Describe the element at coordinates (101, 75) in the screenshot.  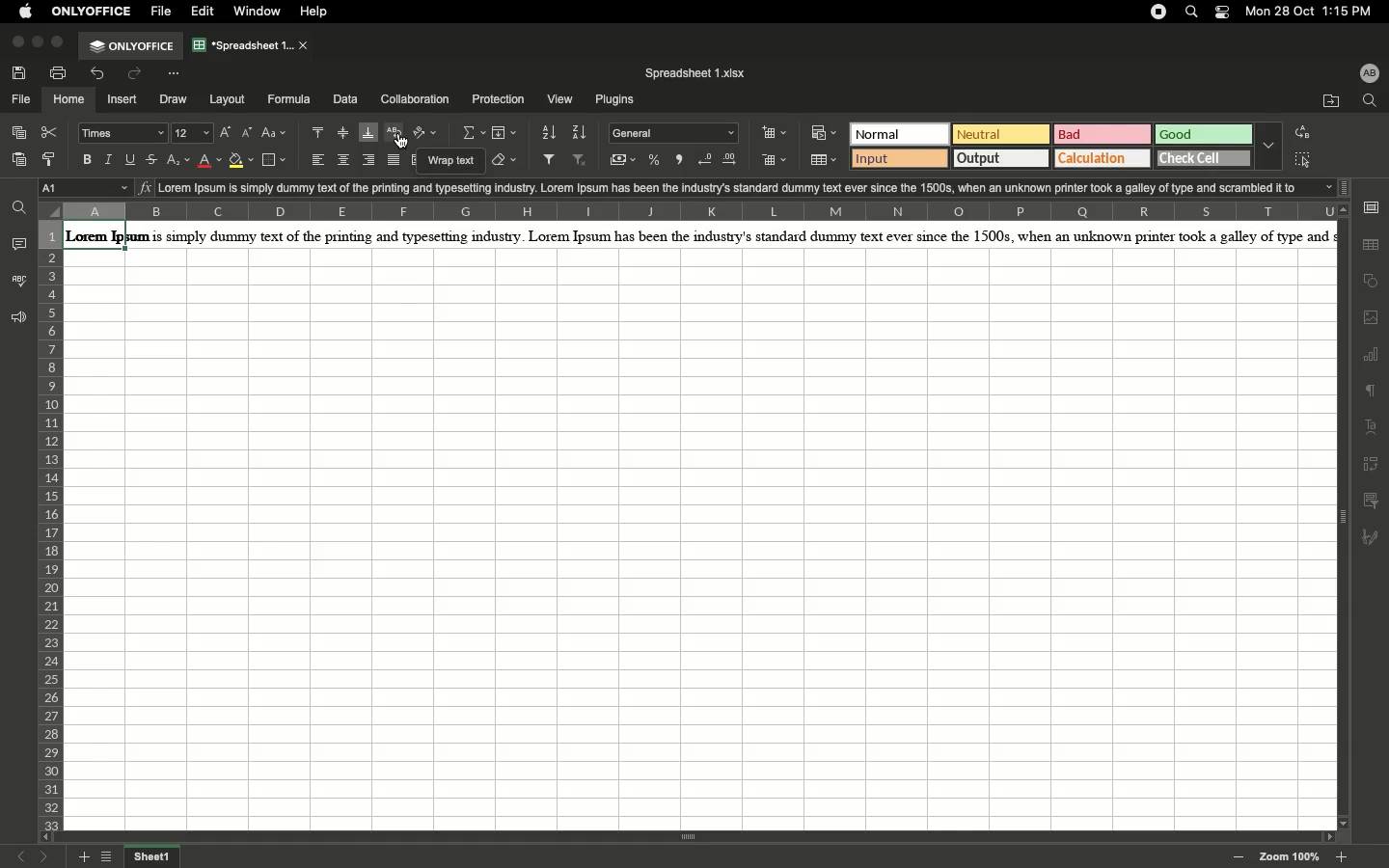
I see `Undo` at that location.